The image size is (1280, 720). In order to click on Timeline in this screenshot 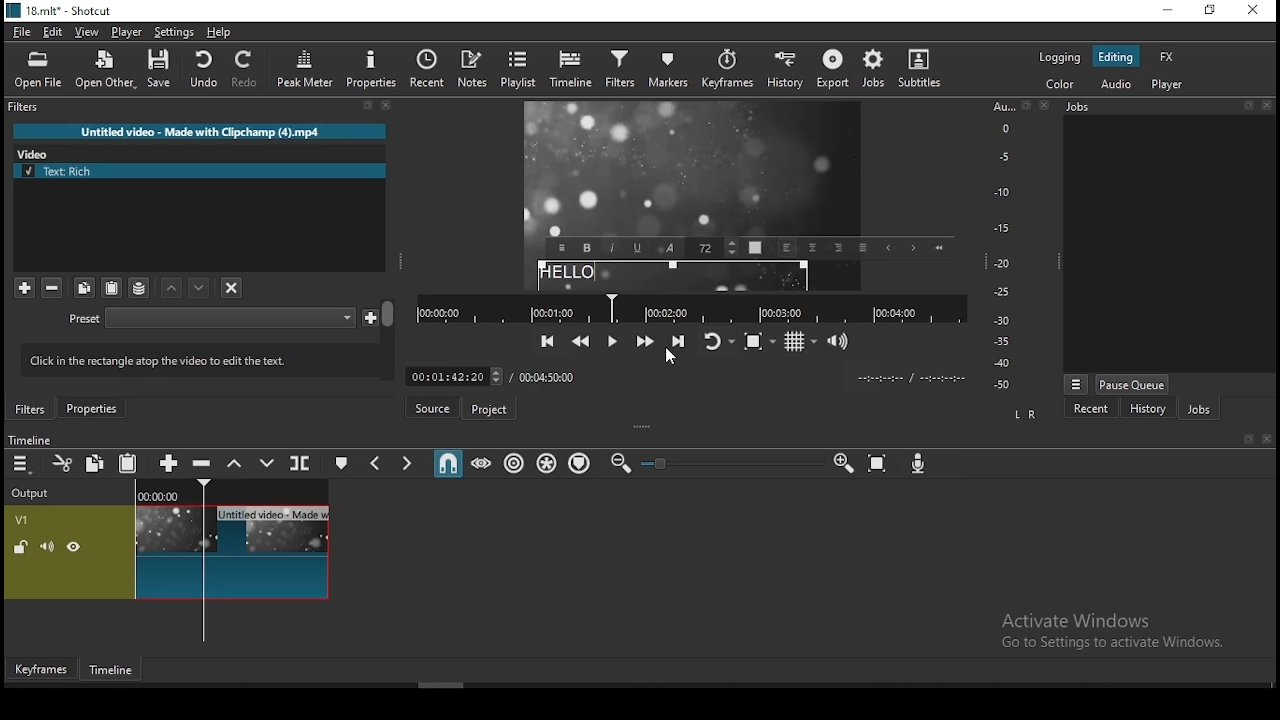, I will do `click(29, 439)`.